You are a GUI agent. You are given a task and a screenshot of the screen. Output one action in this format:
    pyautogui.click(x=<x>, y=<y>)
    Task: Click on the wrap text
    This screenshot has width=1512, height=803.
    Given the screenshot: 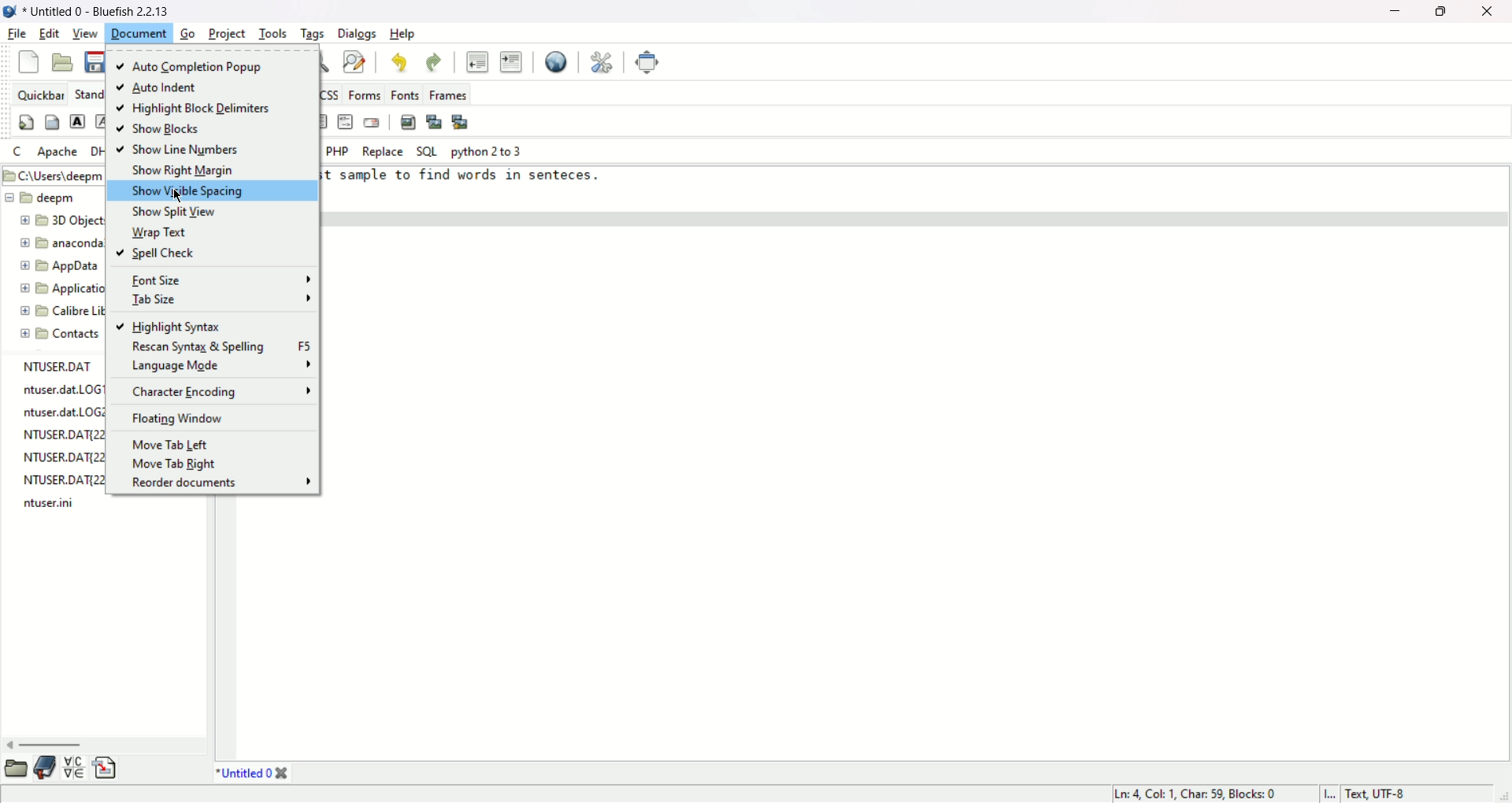 What is the action you would take?
    pyautogui.click(x=182, y=231)
    